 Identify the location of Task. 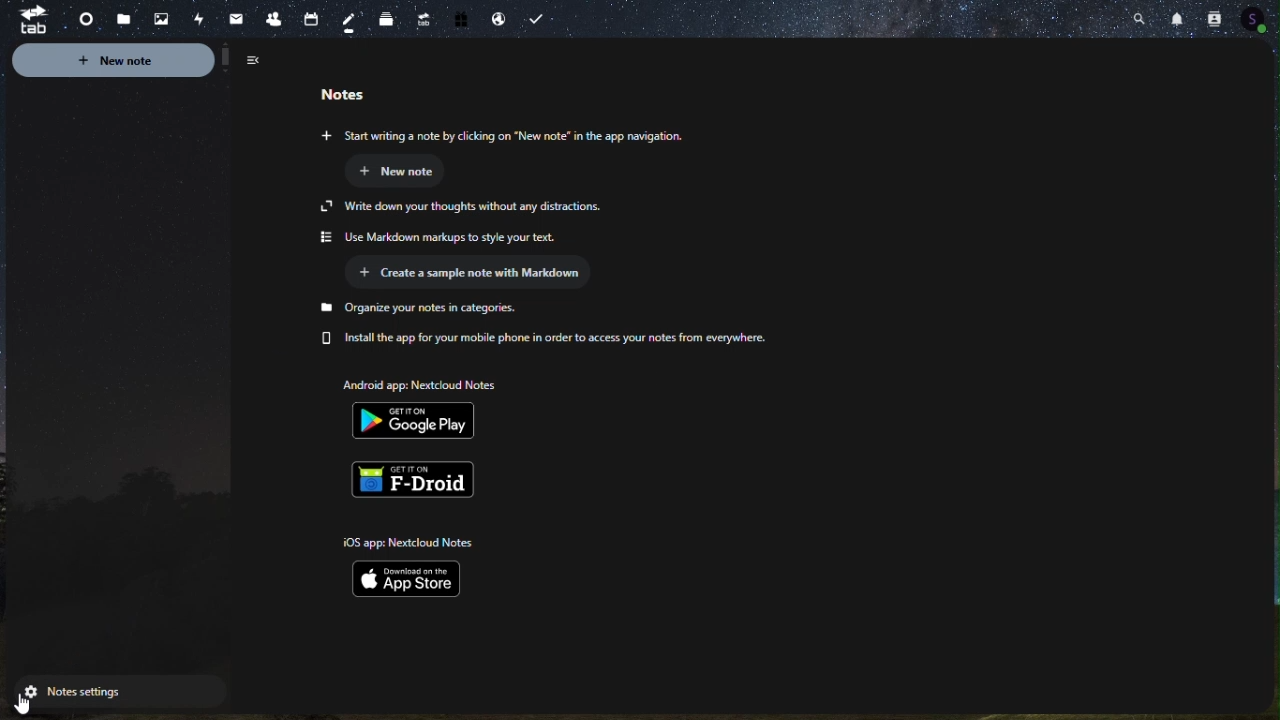
(541, 19).